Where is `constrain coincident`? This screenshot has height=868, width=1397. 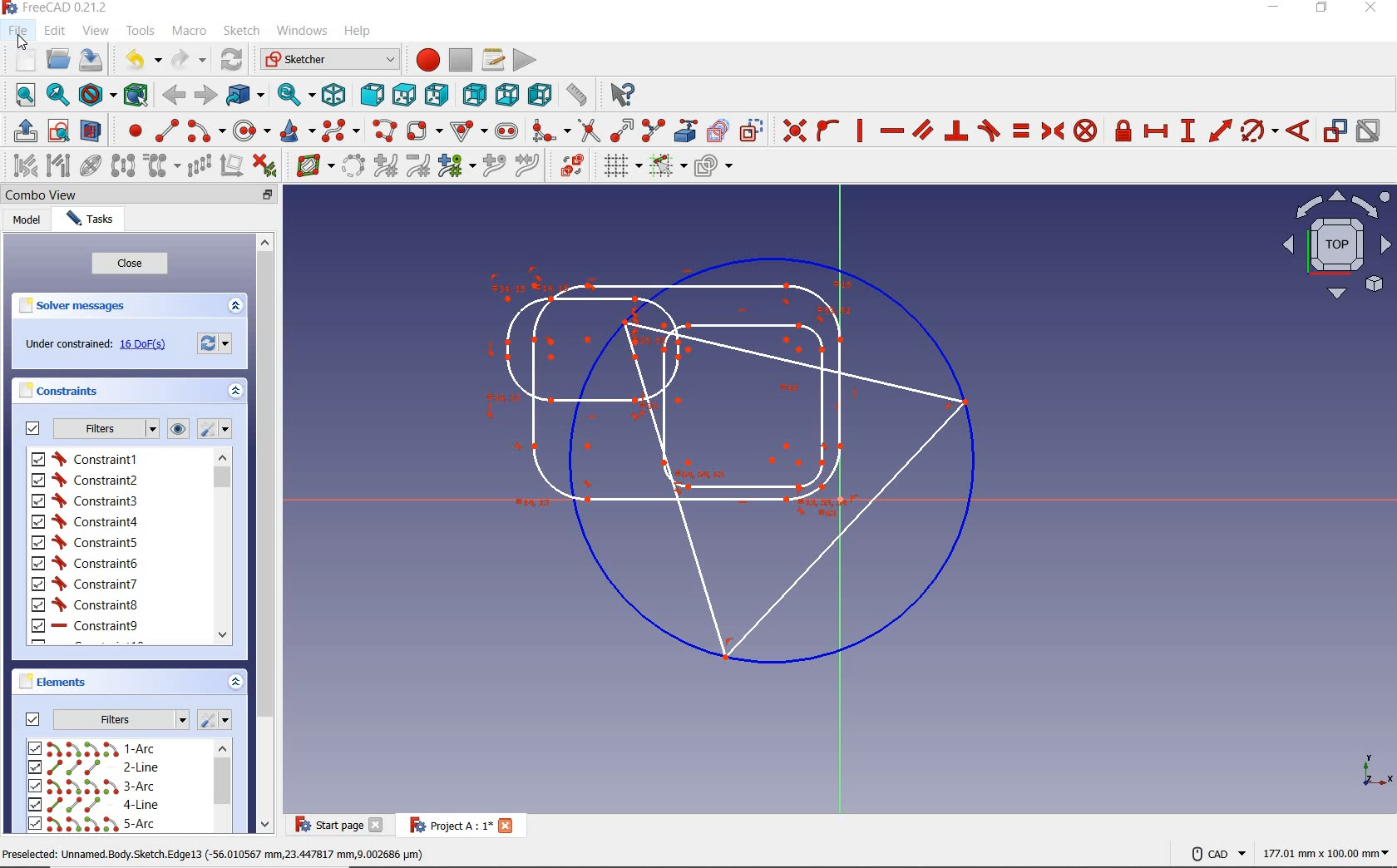 constrain coincident is located at coordinates (792, 130).